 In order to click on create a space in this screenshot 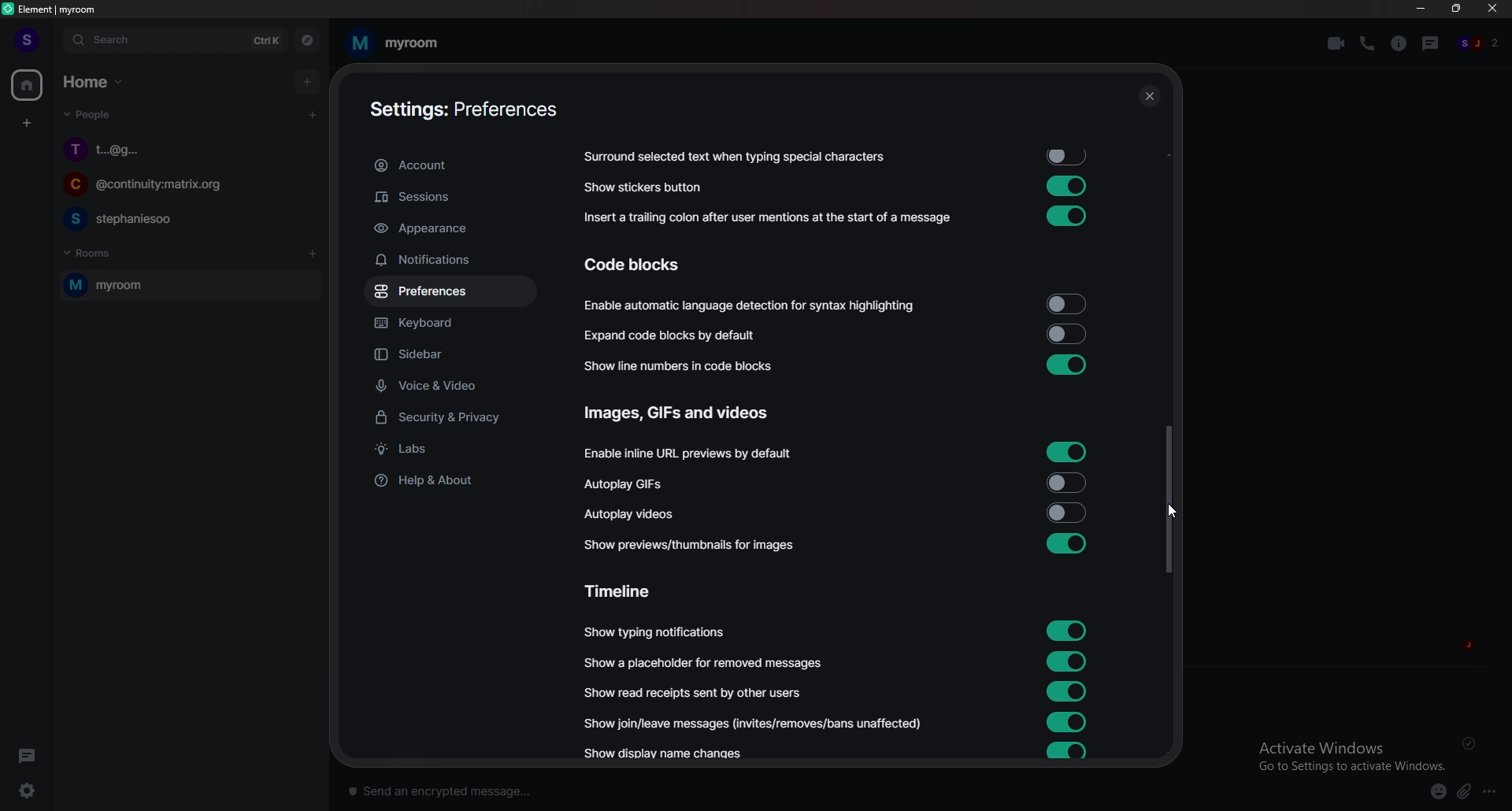, I will do `click(28, 124)`.